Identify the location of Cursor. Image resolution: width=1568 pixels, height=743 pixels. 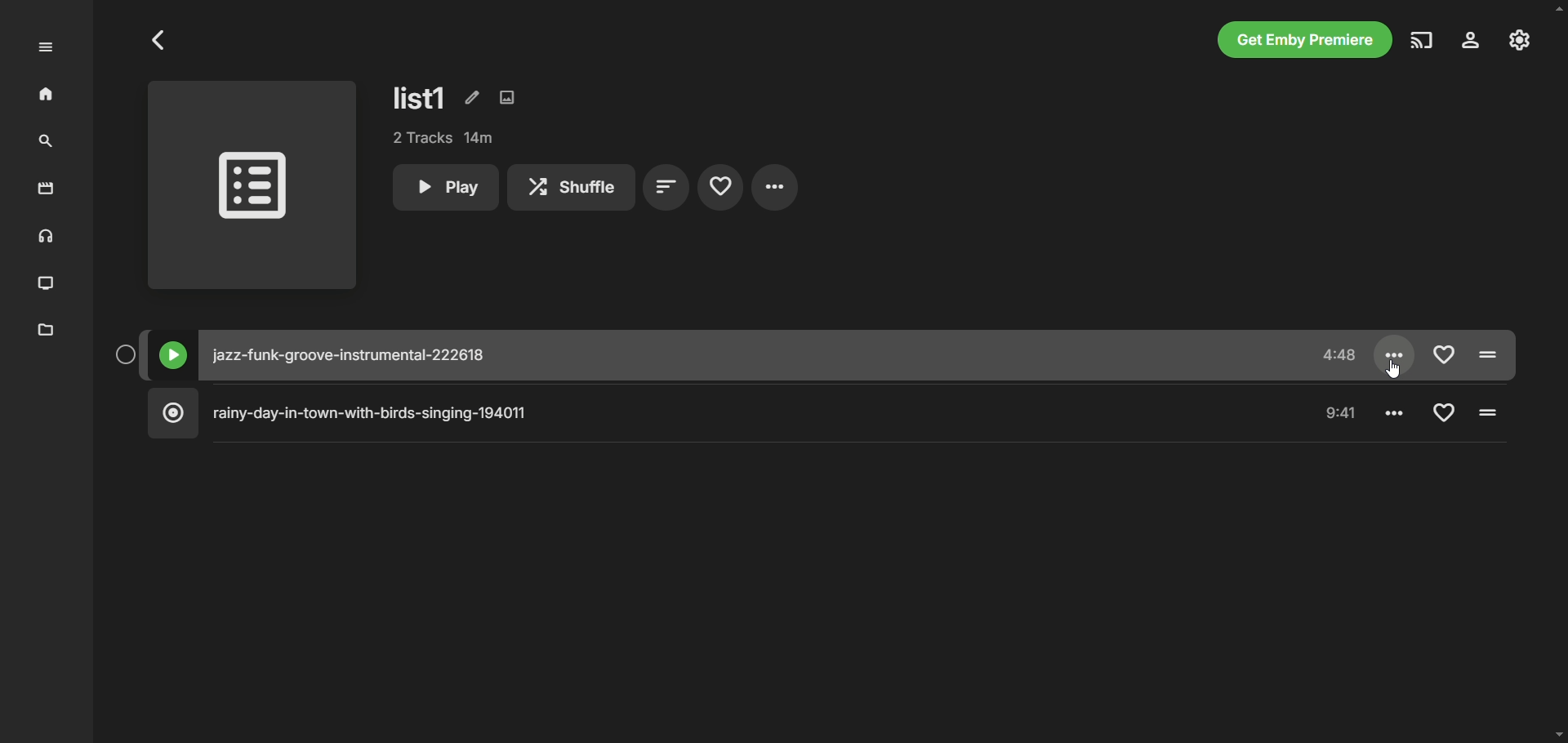
(1393, 369).